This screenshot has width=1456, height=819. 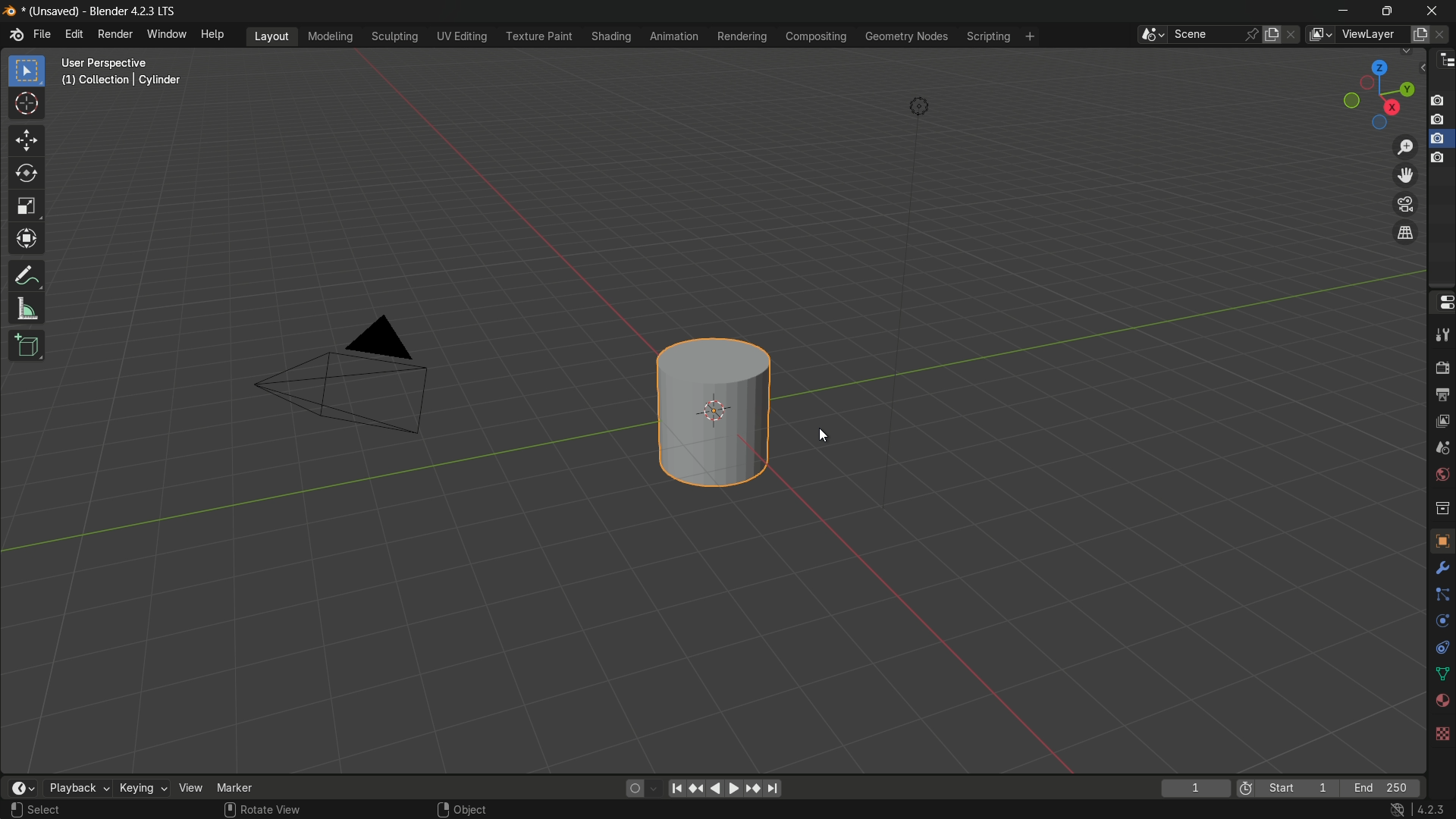 What do you see at coordinates (1302, 789) in the screenshot?
I see `Start 1` at bounding box center [1302, 789].